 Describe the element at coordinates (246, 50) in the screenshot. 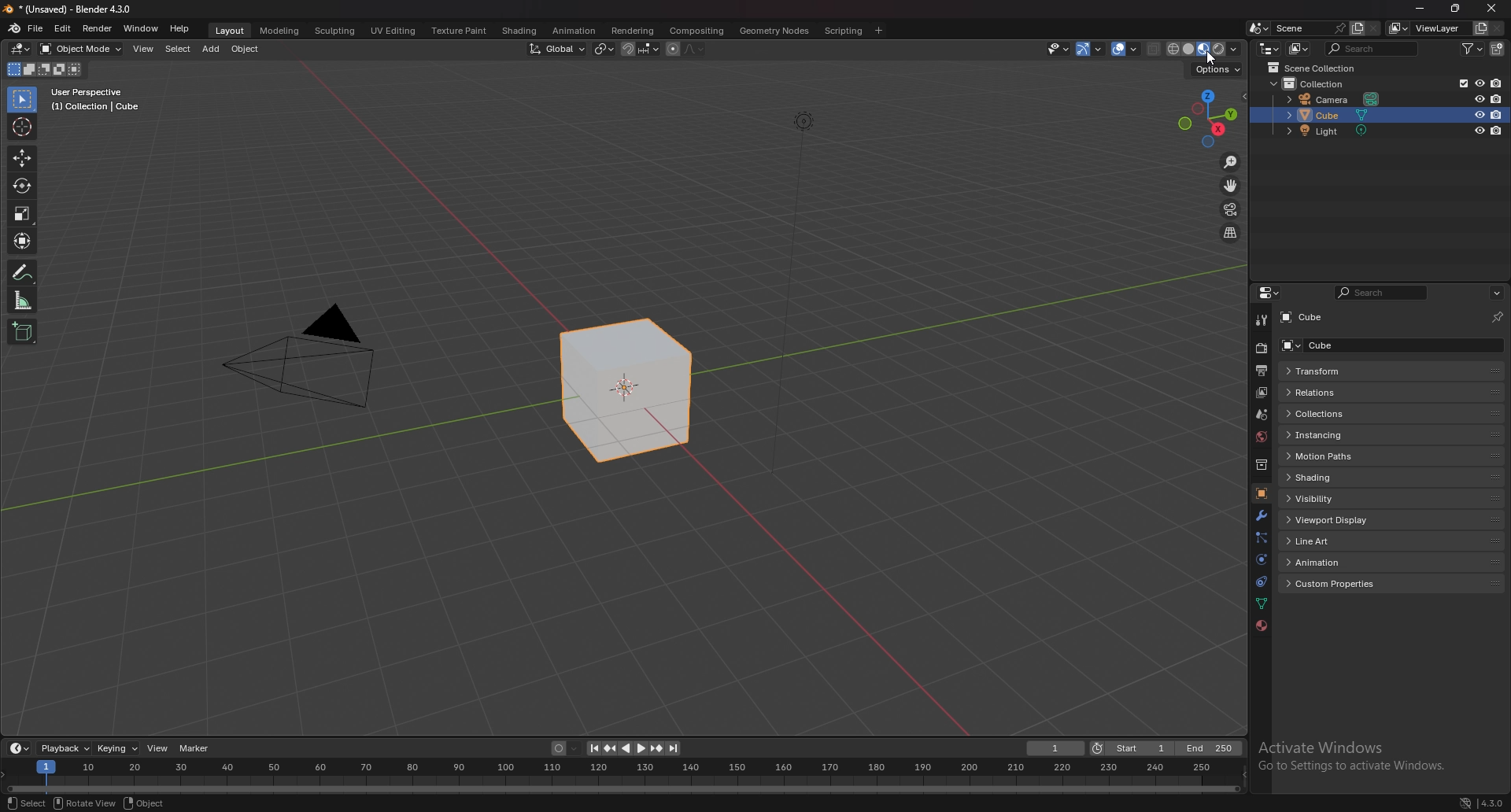

I see `object` at that location.